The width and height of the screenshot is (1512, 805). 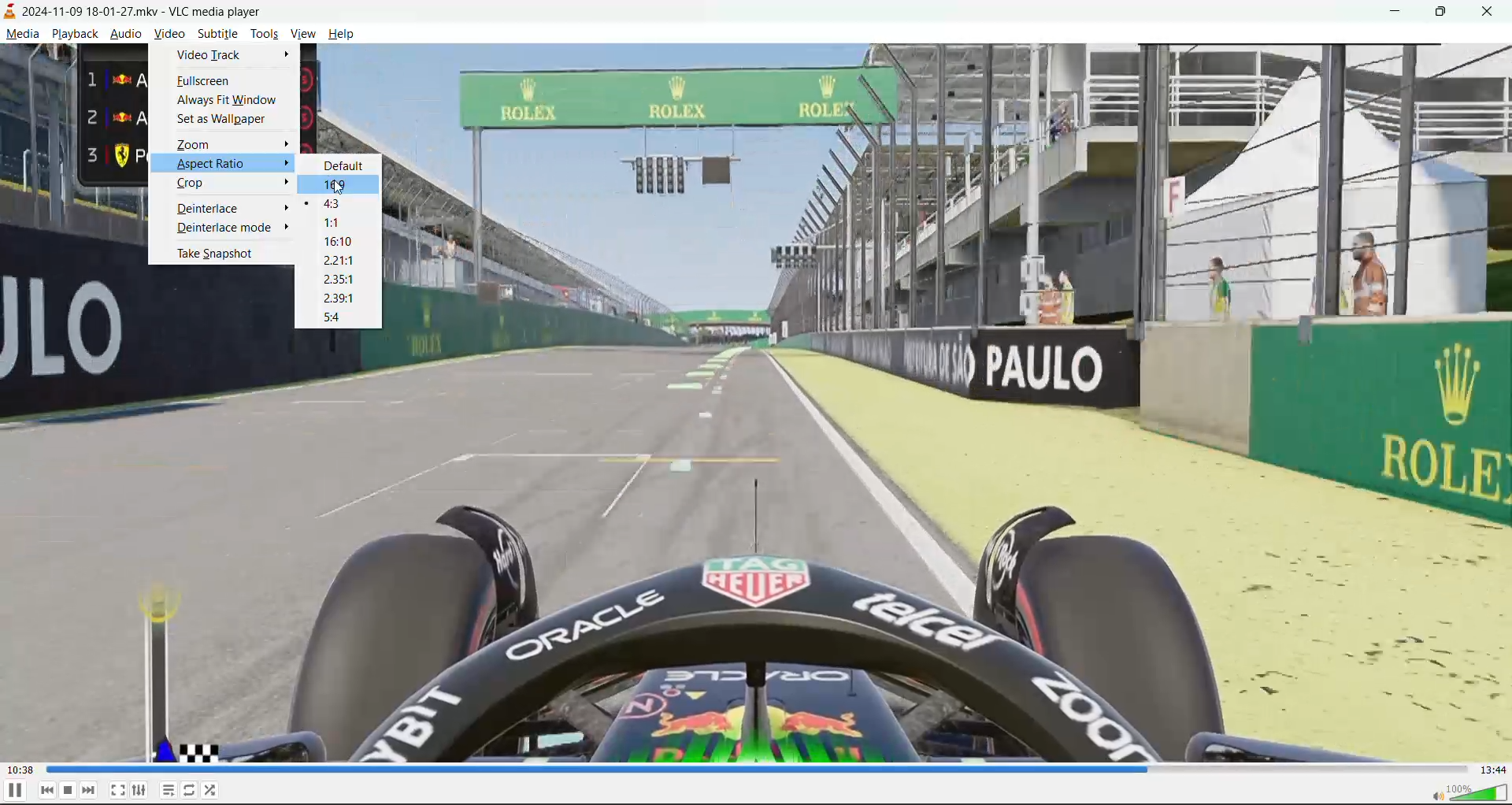 I want to click on audio, so click(x=128, y=35).